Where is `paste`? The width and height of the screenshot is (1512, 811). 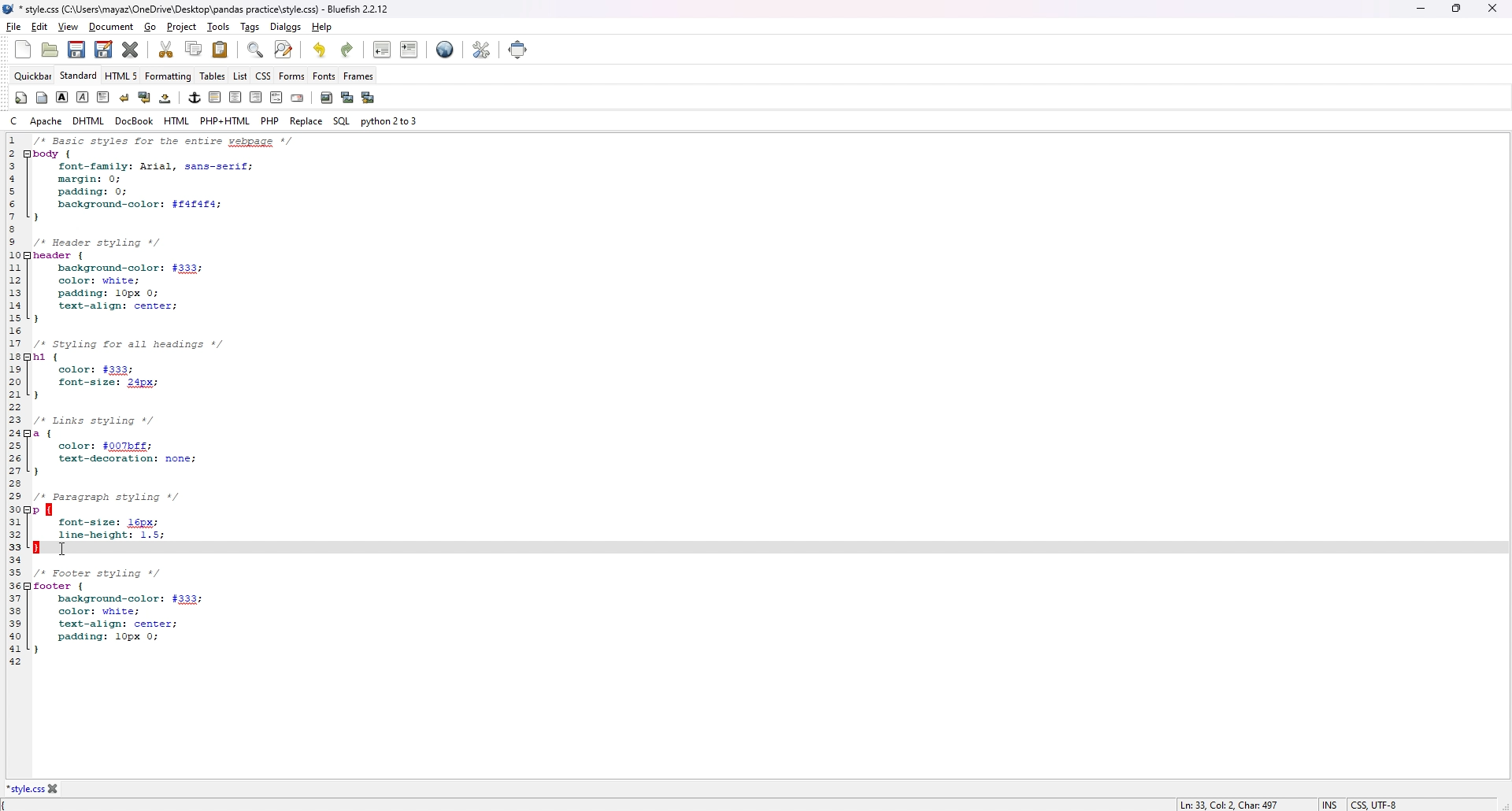 paste is located at coordinates (221, 50).